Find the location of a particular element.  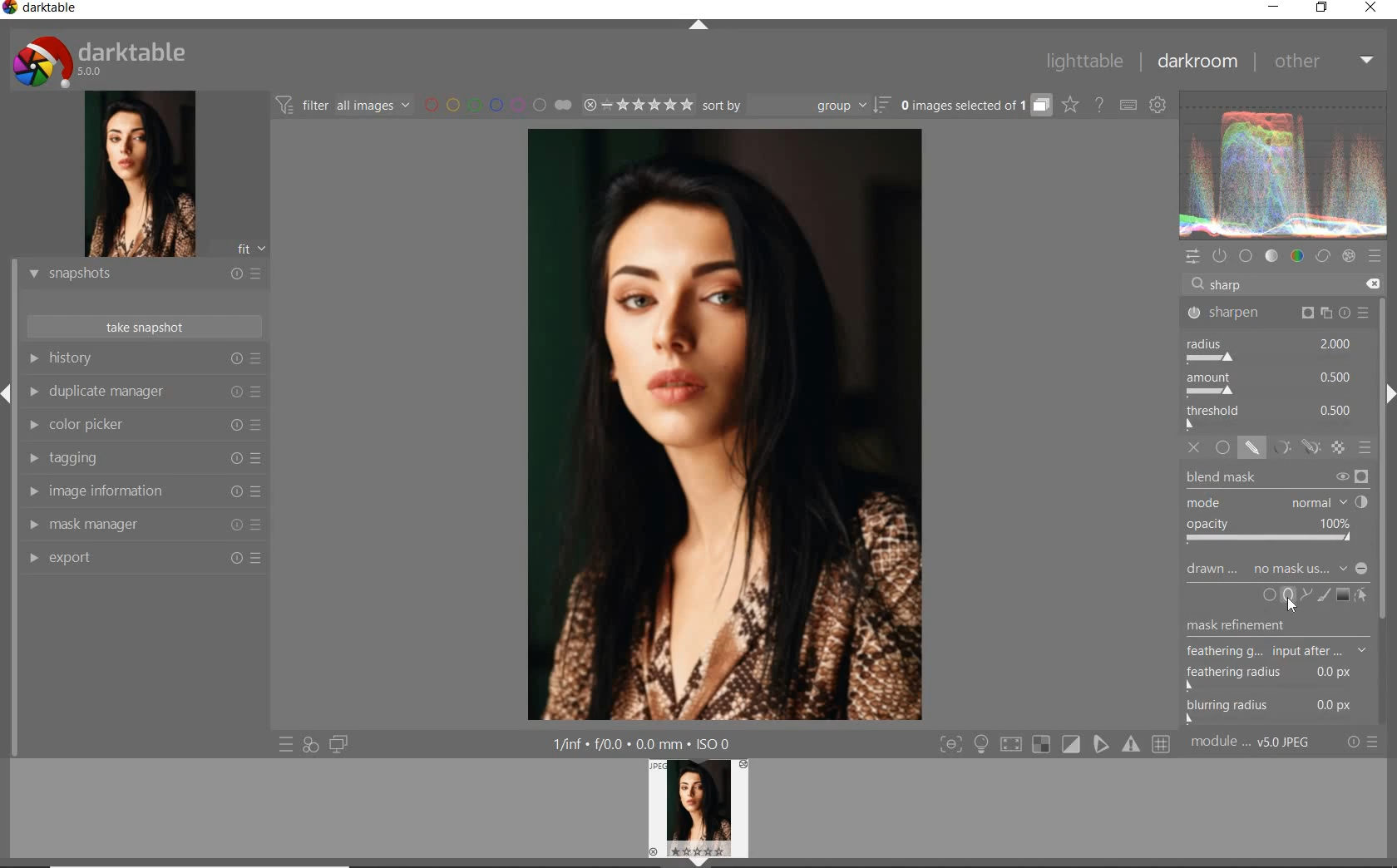

mask refinement options is located at coordinates (1278, 653).